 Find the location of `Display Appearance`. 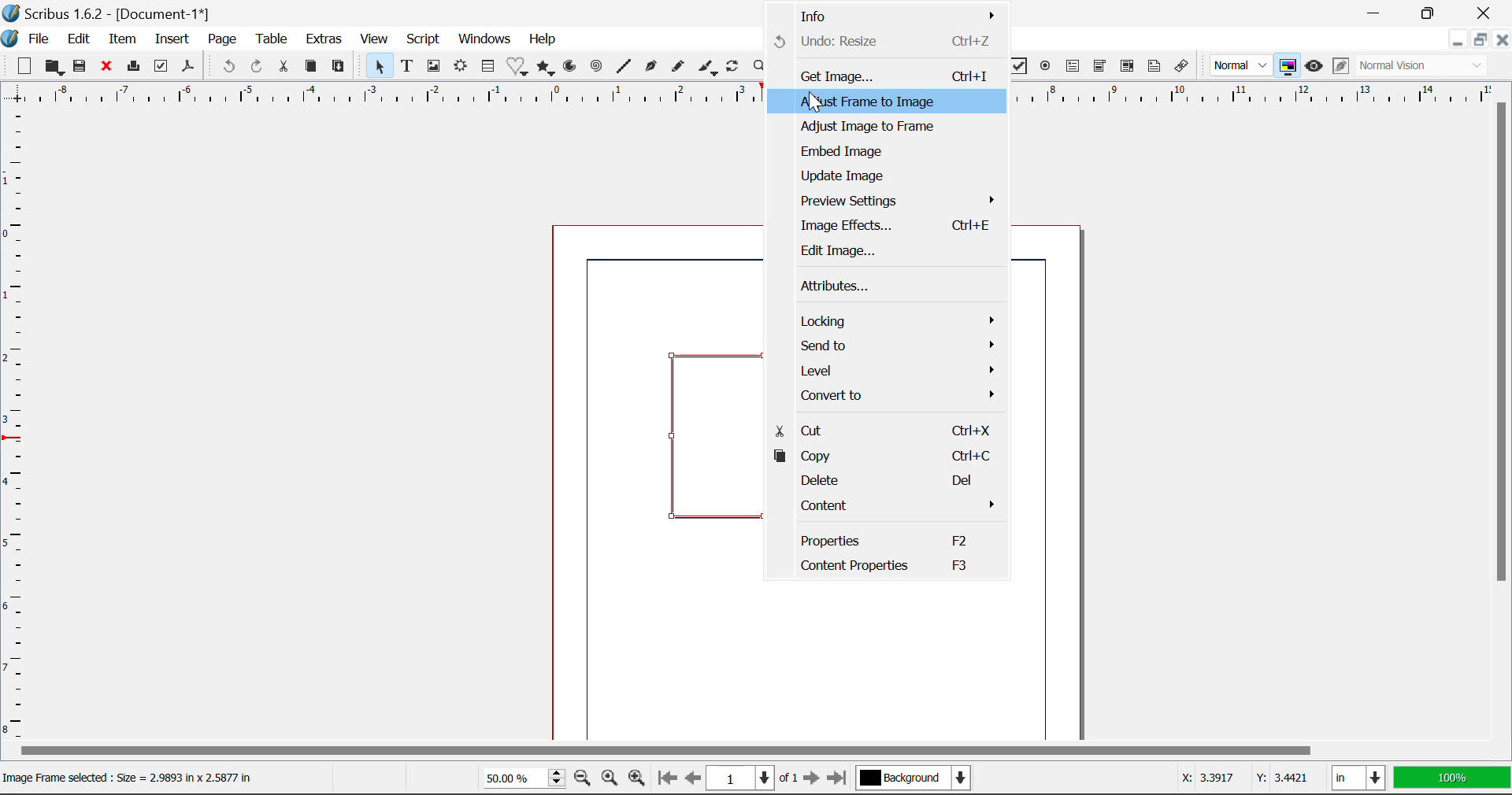

Display Appearance is located at coordinates (1427, 66).